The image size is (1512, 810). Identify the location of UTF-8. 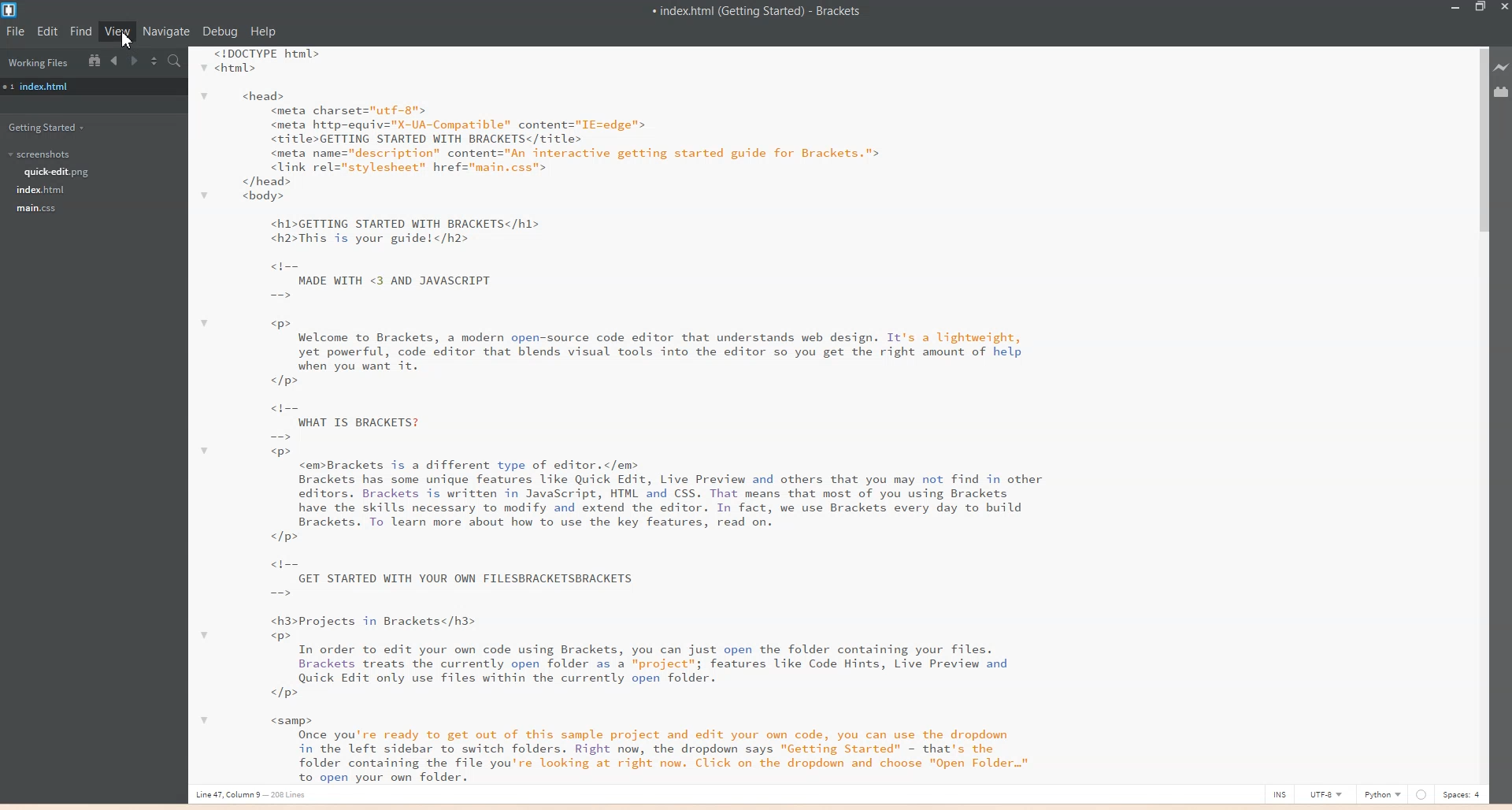
(1325, 794).